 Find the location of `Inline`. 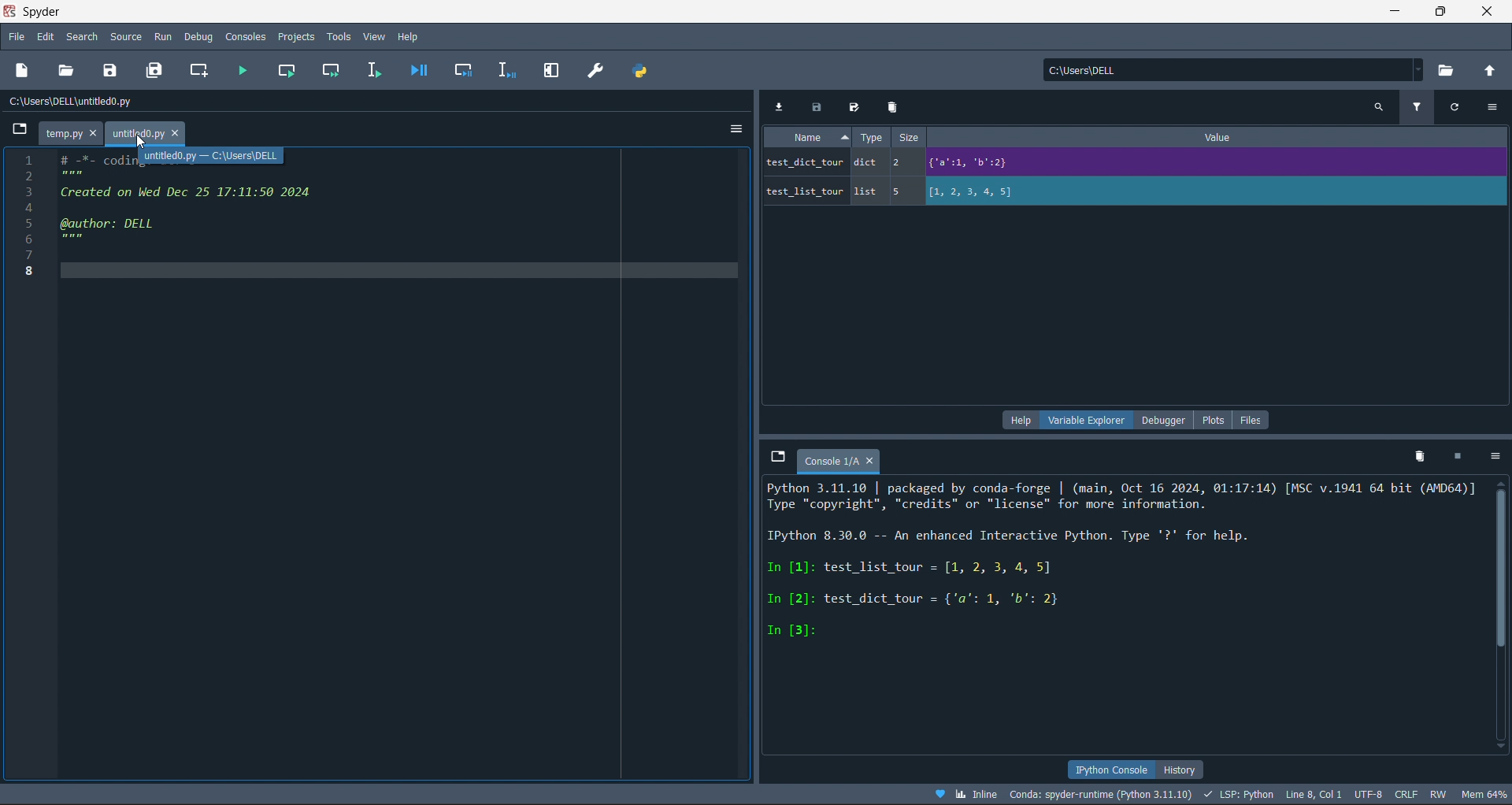

Inline is located at coordinates (966, 795).